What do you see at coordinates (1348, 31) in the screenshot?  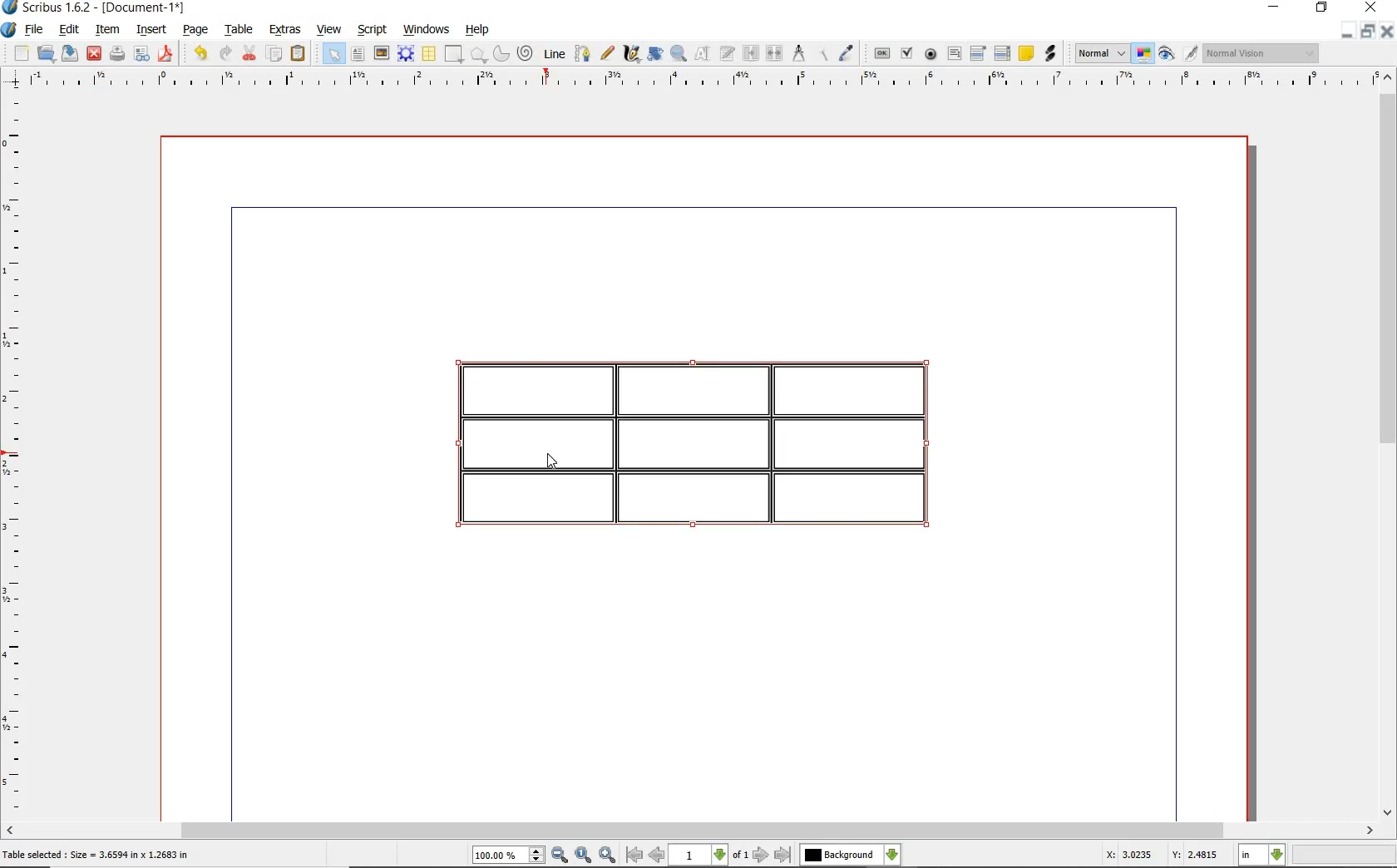 I see `MINIMIZE` at bounding box center [1348, 31].